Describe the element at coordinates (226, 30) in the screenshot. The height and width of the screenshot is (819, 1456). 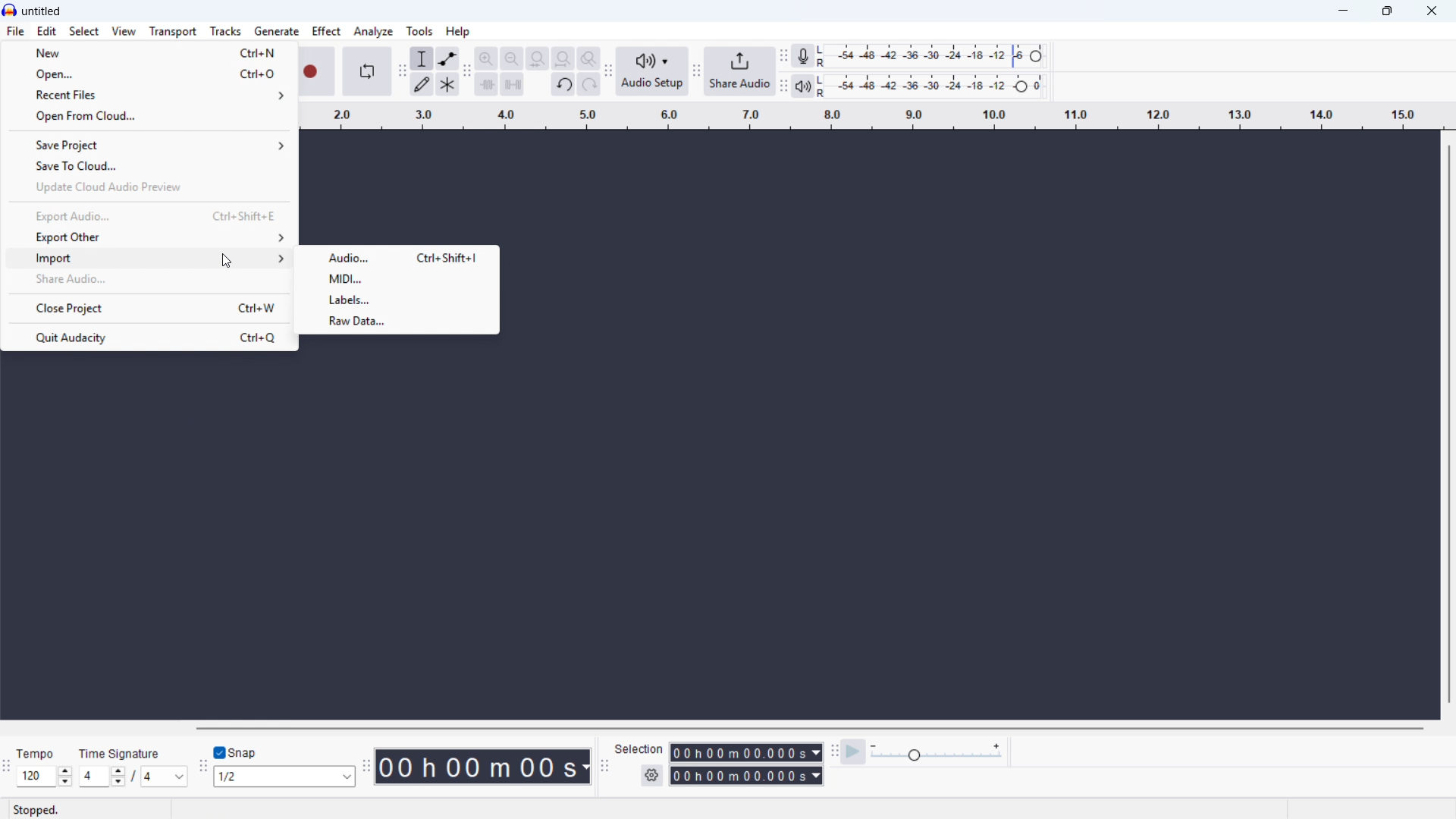
I see `Tracks ` at that location.